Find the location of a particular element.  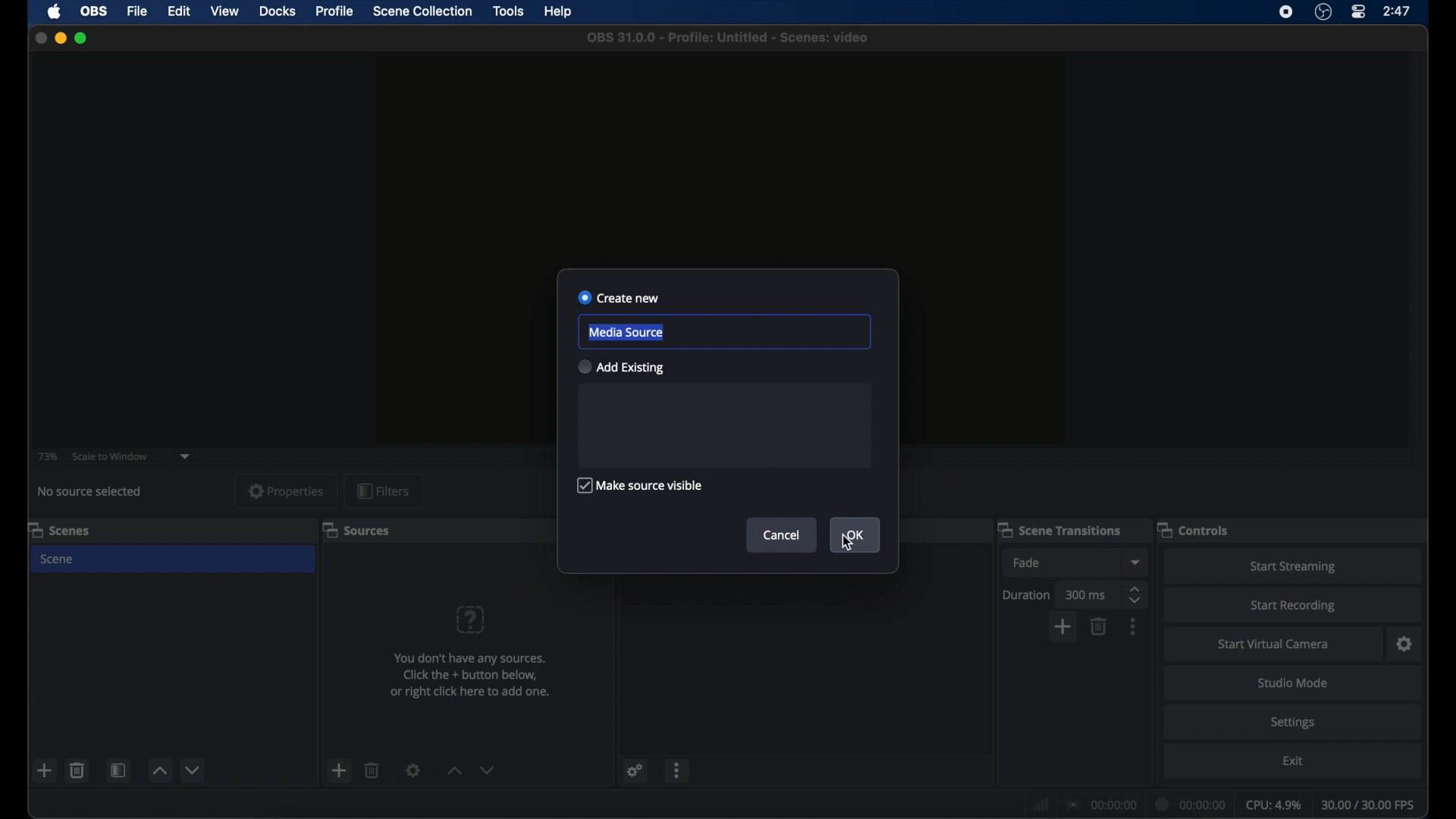

300 ms is located at coordinates (1087, 595).